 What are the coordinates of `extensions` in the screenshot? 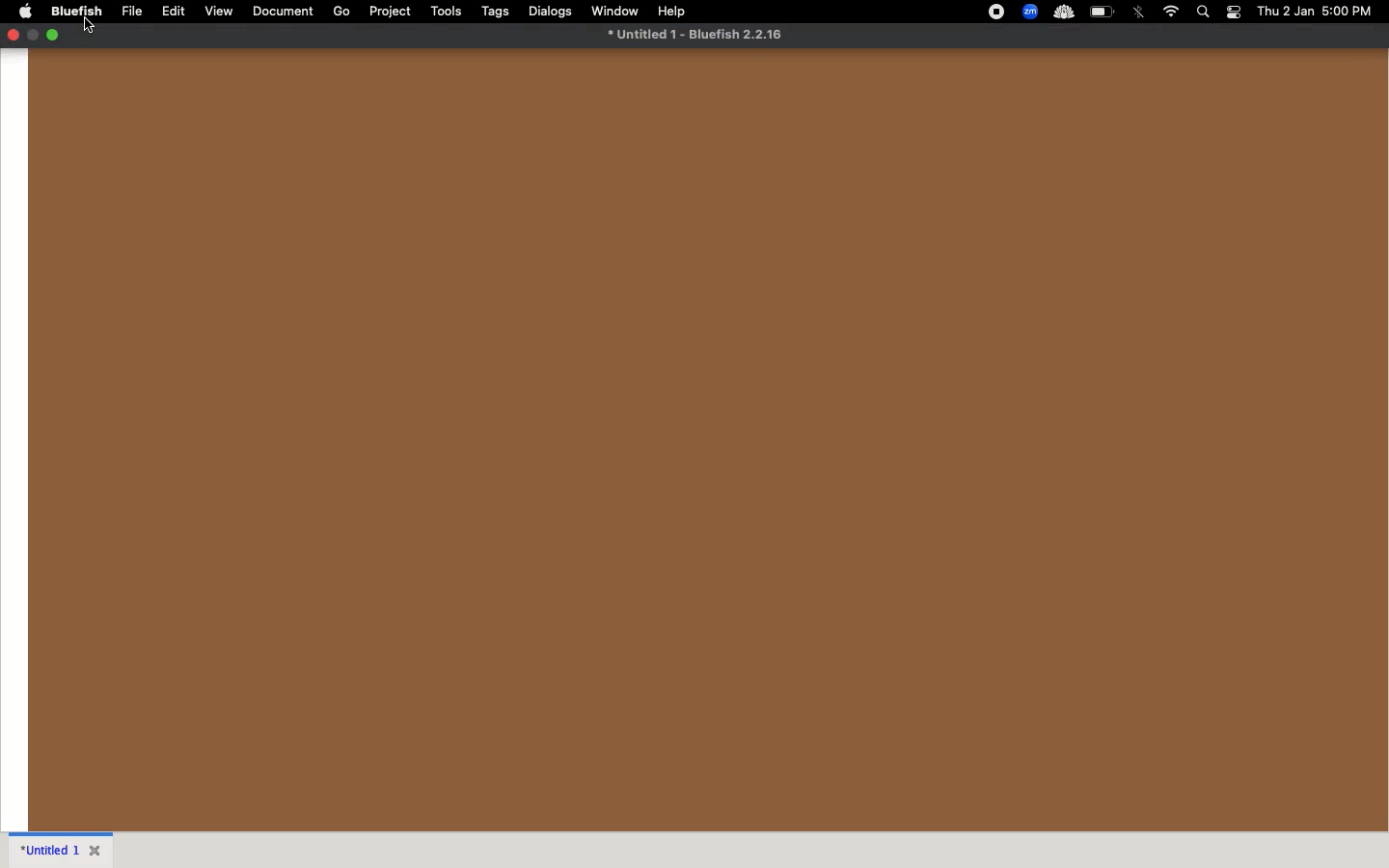 It's located at (1032, 14).